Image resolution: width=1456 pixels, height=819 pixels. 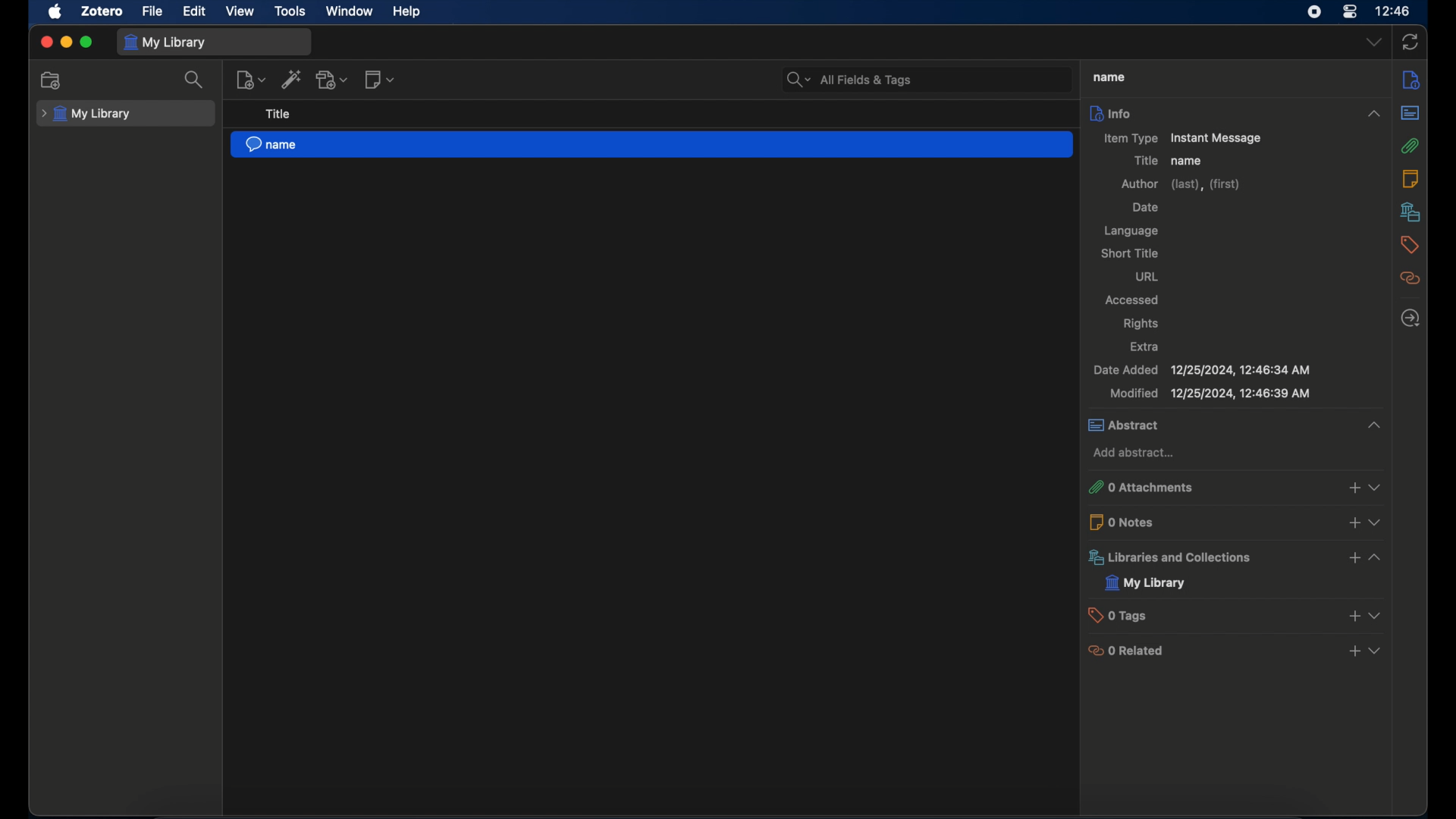 I want to click on libraries and collections, so click(x=1233, y=557).